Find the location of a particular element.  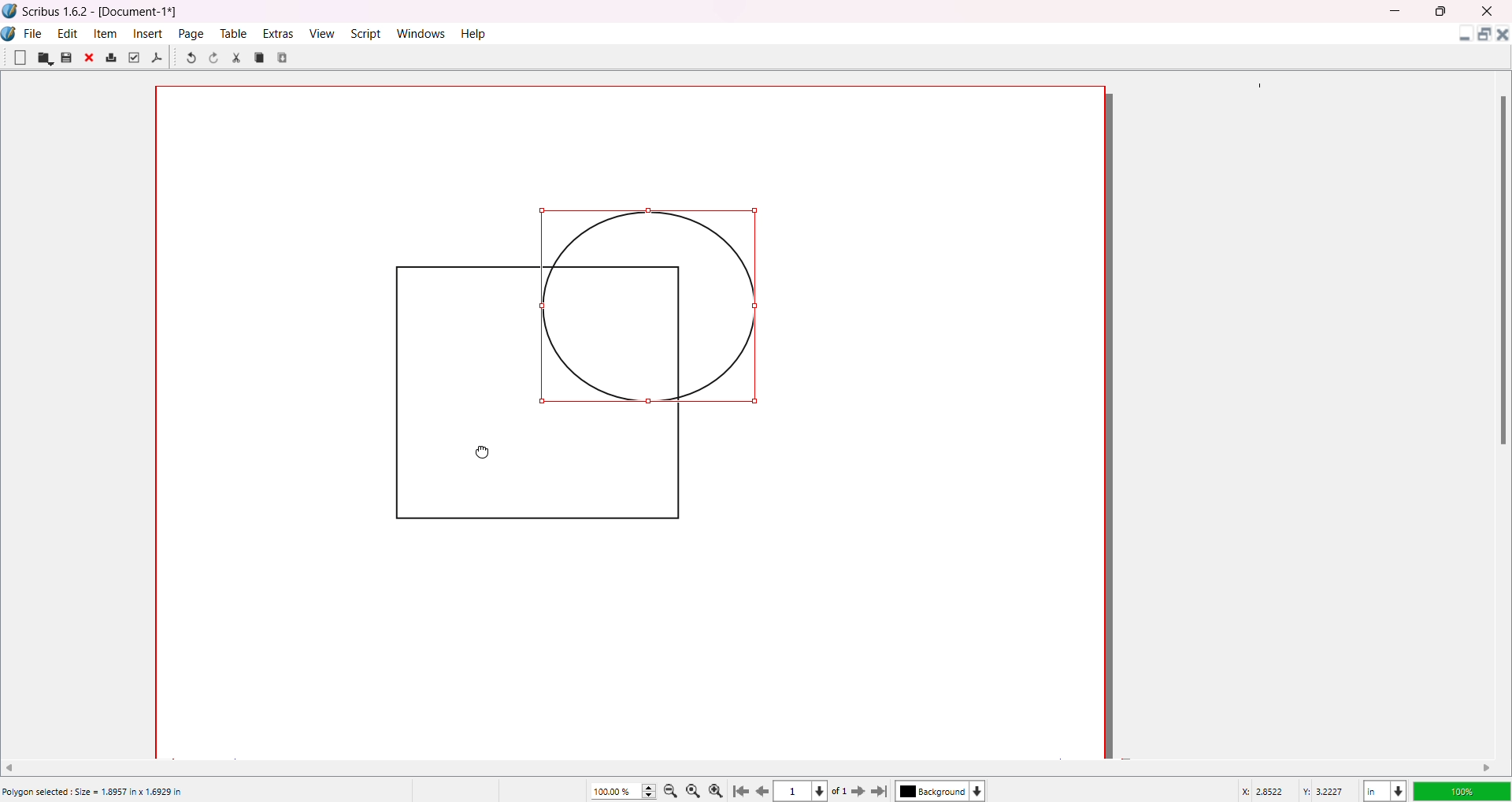

Zoom in is located at coordinates (719, 789).